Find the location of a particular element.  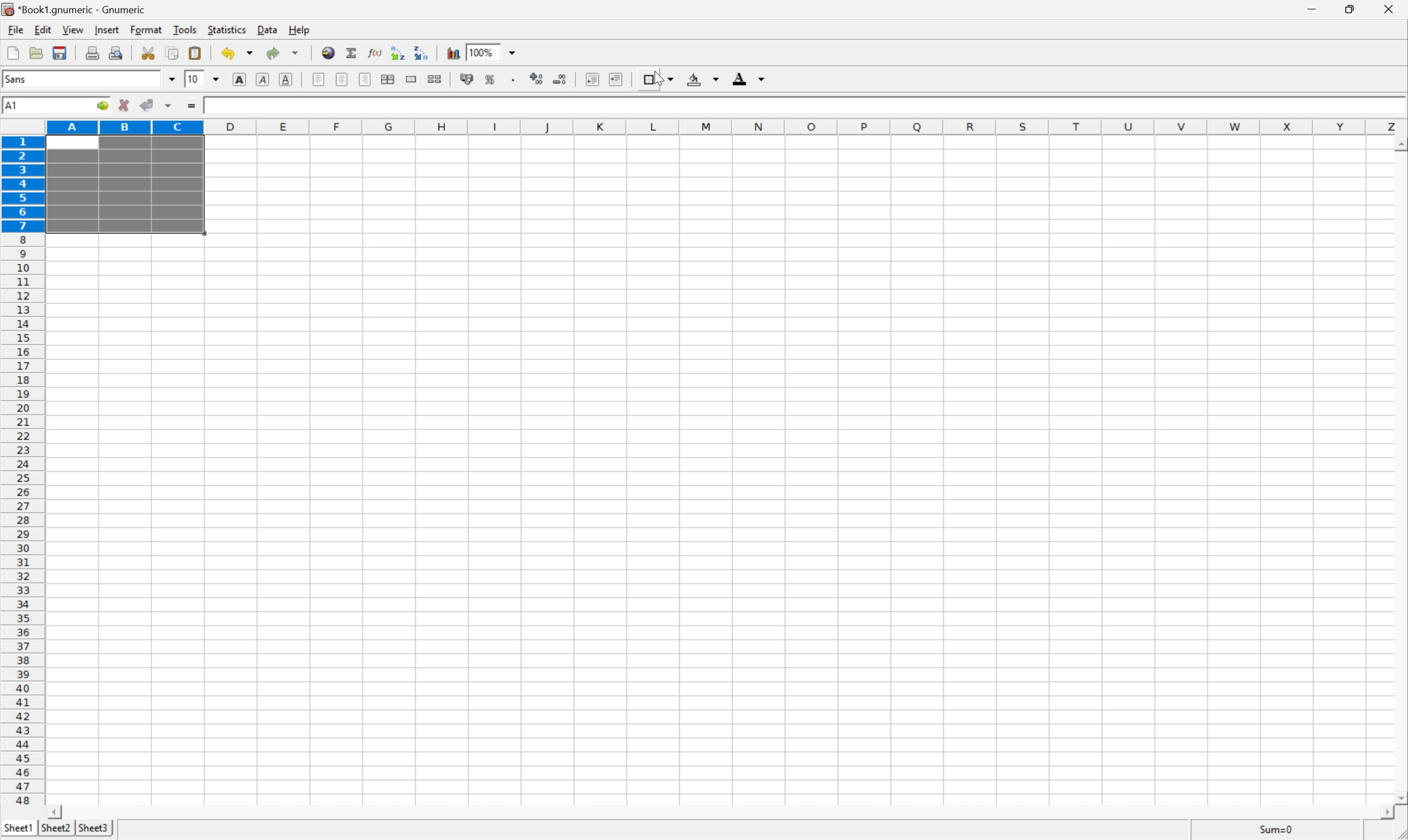

sheet1 is located at coordinates (18, 830).